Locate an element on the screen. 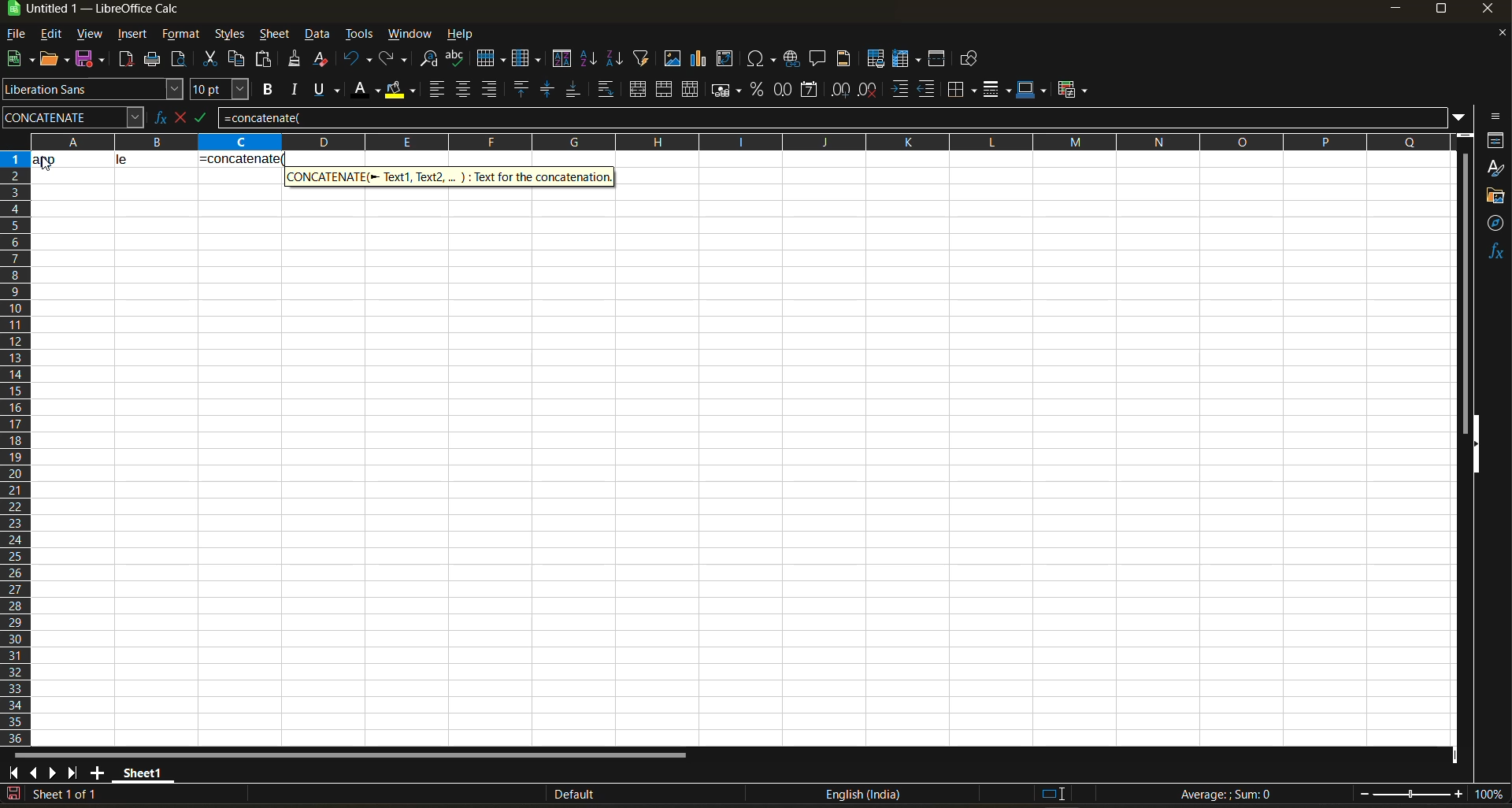  center vertically is located at coordinates (547, 90).